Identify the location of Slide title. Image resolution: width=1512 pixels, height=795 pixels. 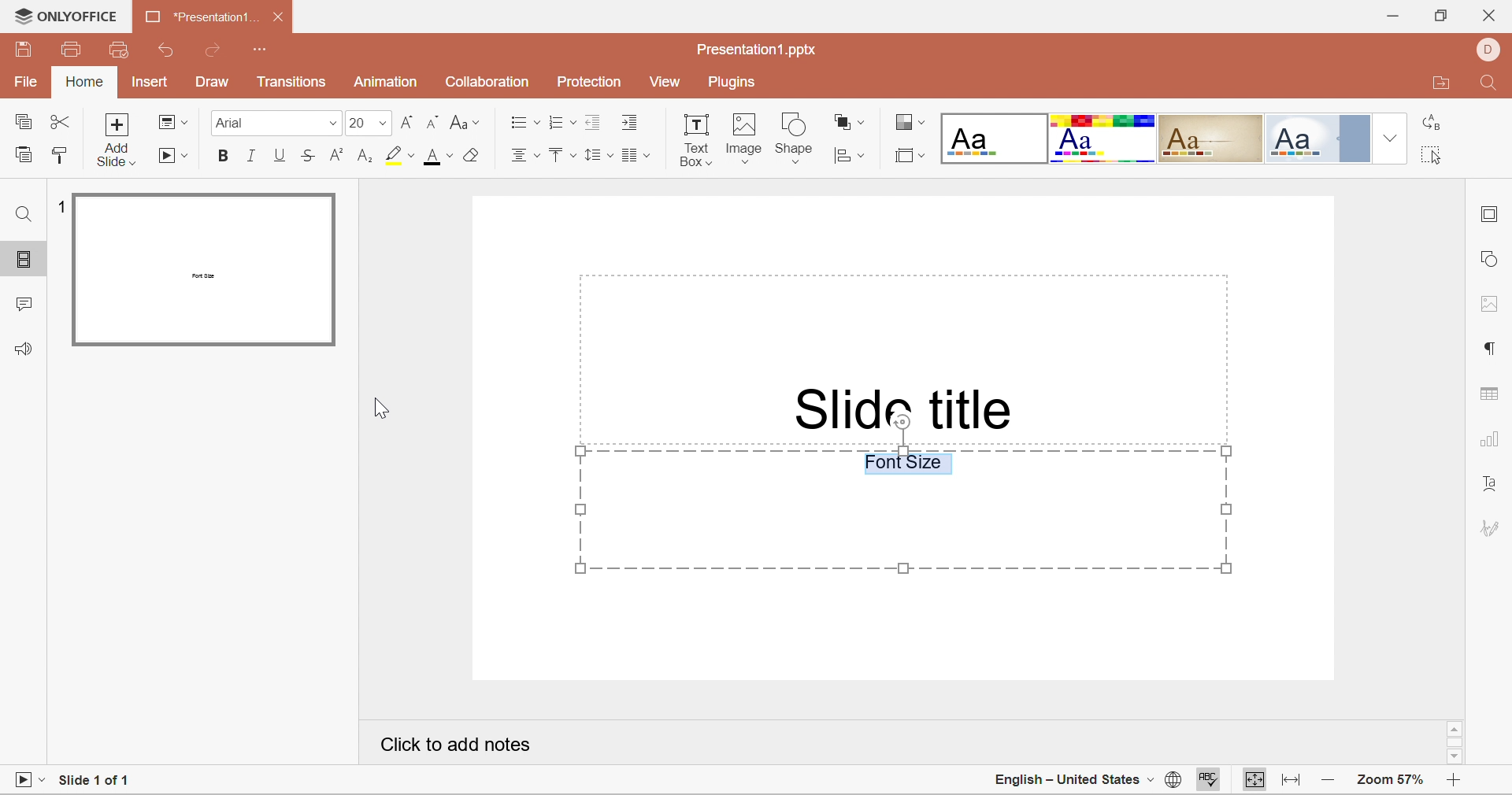
(906, 406).